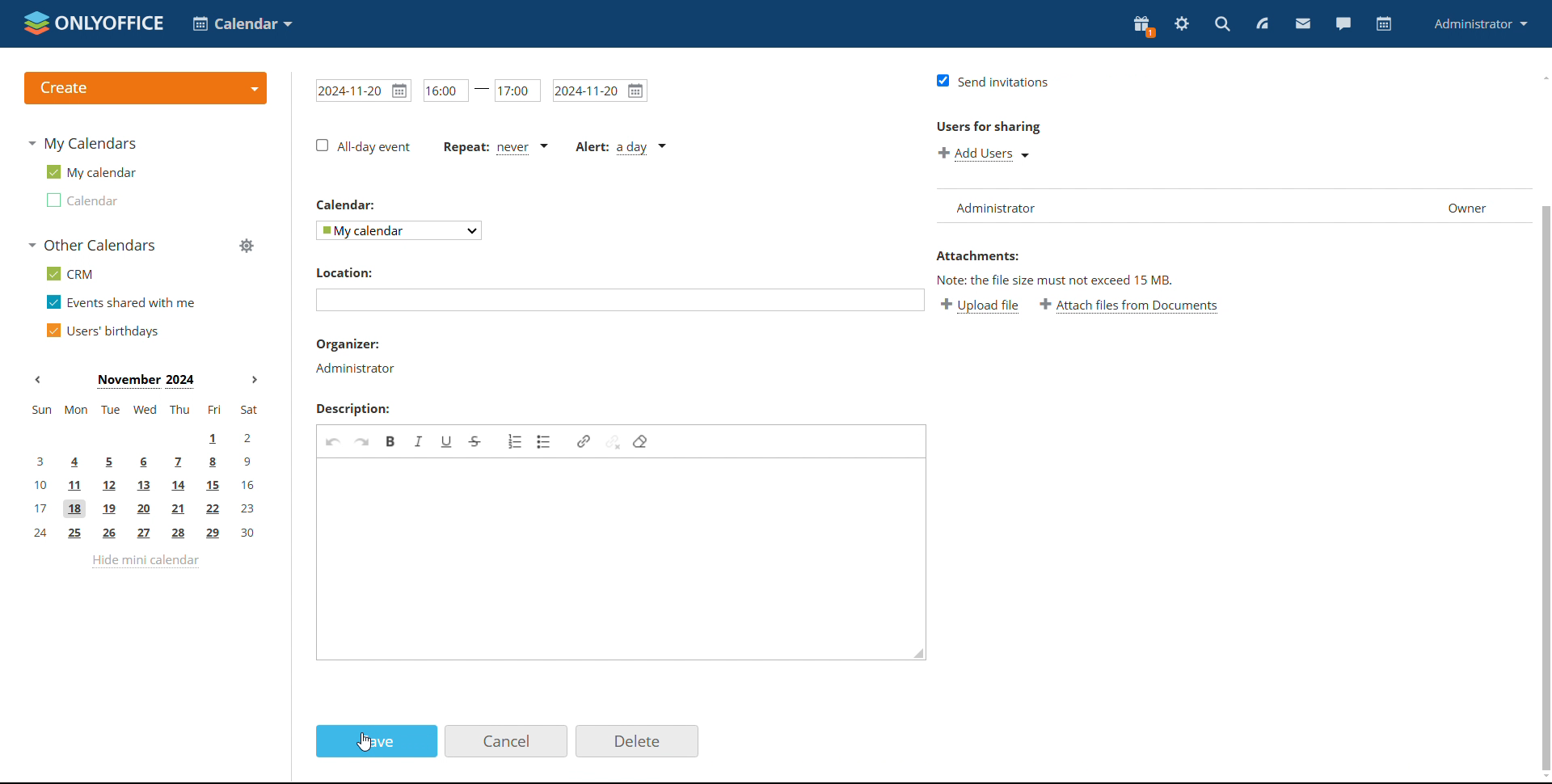  Describe the element at coordinates (363, 441) in the screenshot. I see `Redo` at that location.